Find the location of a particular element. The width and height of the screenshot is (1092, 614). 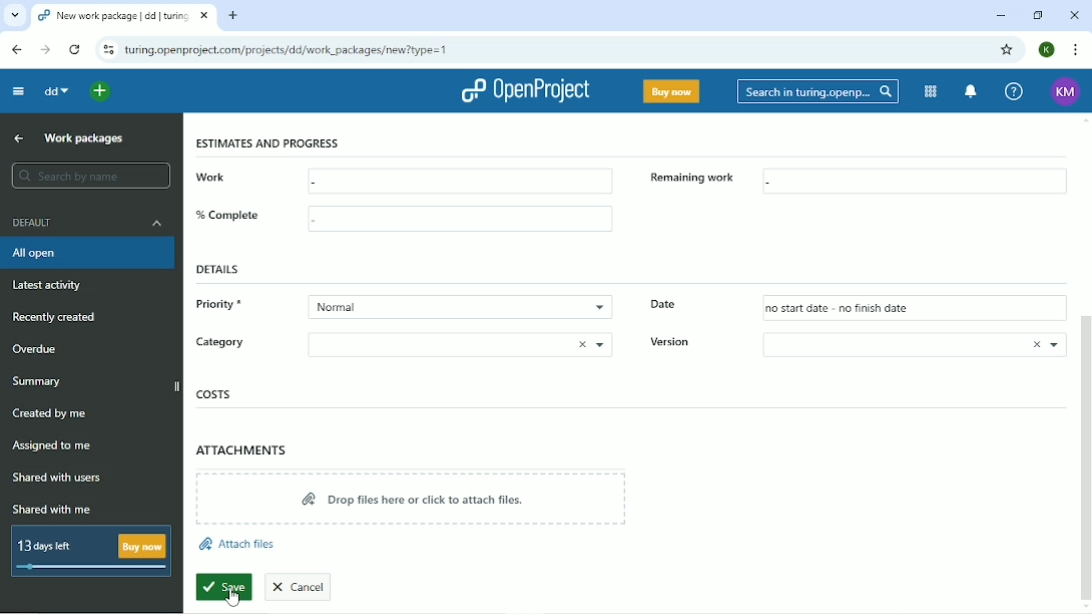

Modules is located at coordinates (929, 91).